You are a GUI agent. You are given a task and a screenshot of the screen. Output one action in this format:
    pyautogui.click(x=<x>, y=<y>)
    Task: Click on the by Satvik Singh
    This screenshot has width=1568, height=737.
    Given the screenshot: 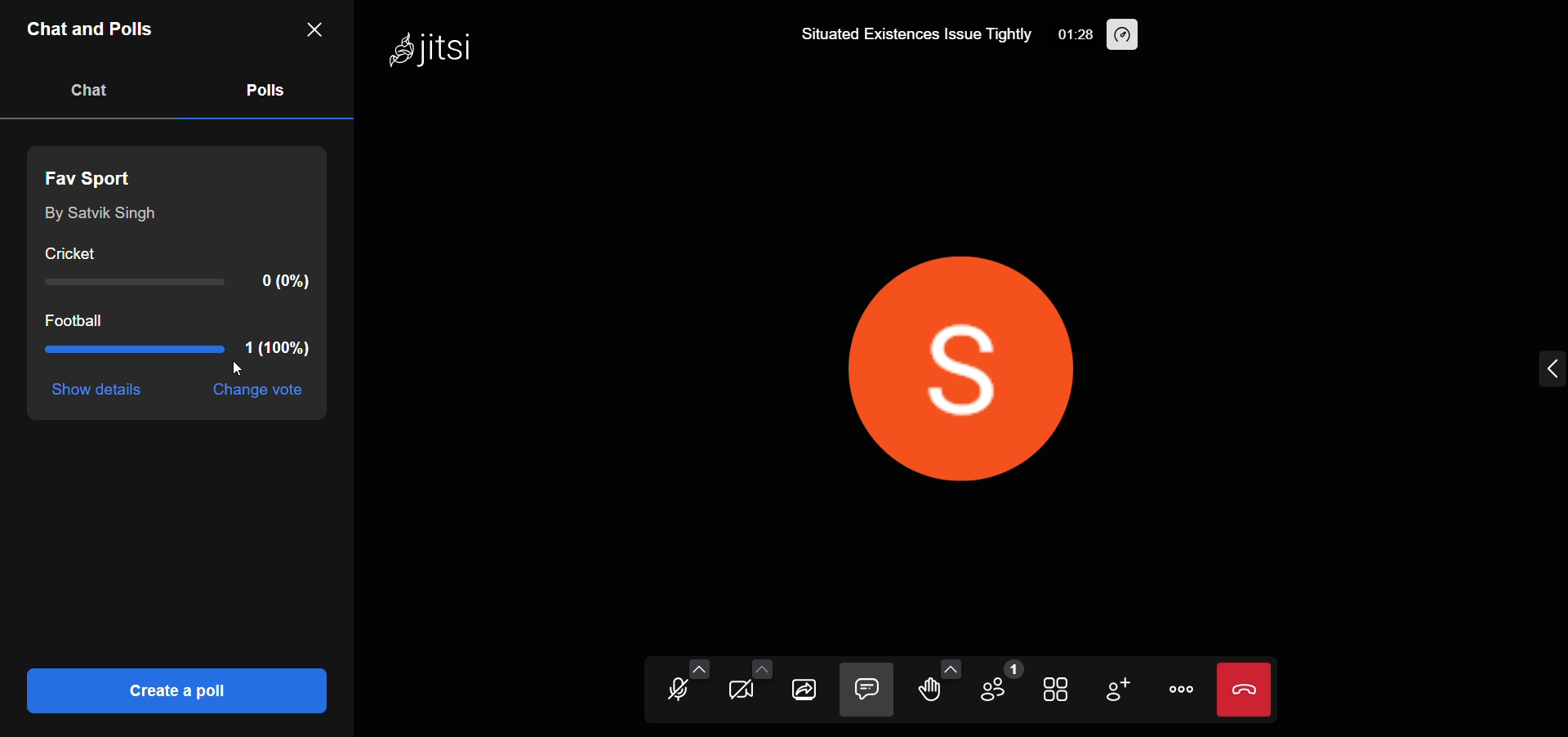 What is the action you would take?
    pyautogui.click(x=97, y=217)
    